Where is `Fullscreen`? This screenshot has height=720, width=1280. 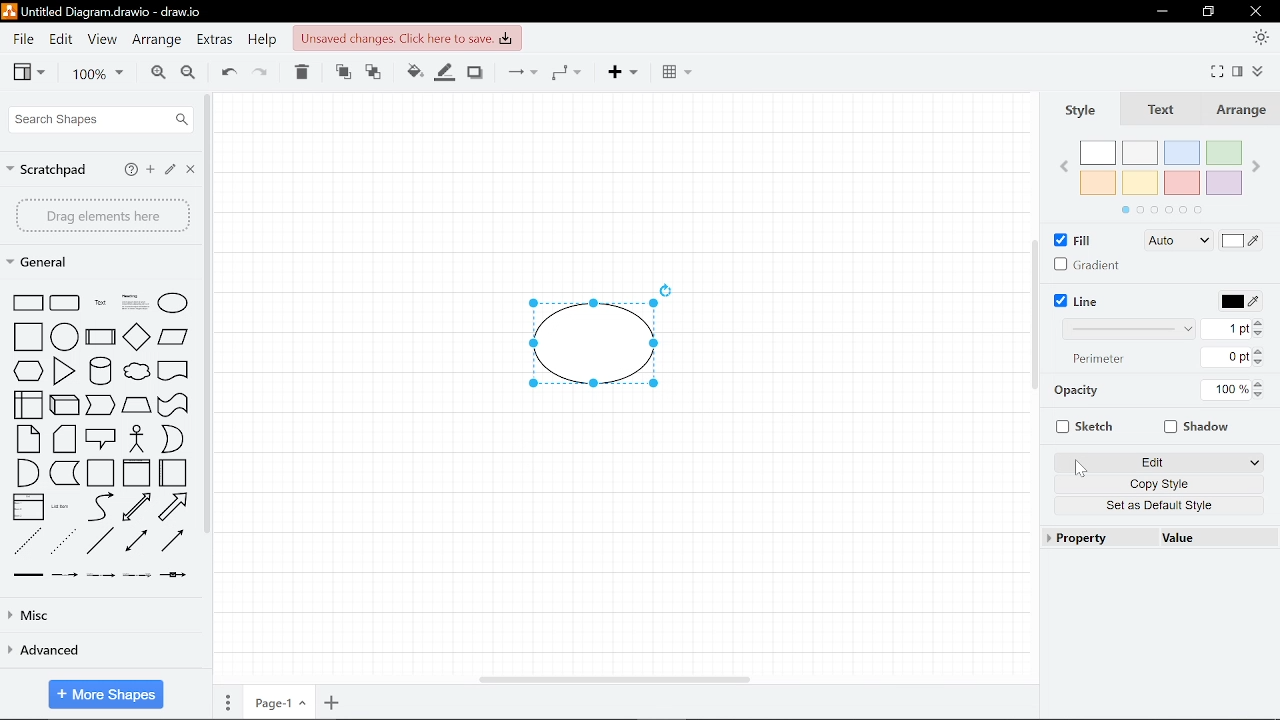
Fullscreen is located at coordinates (1218, 70).